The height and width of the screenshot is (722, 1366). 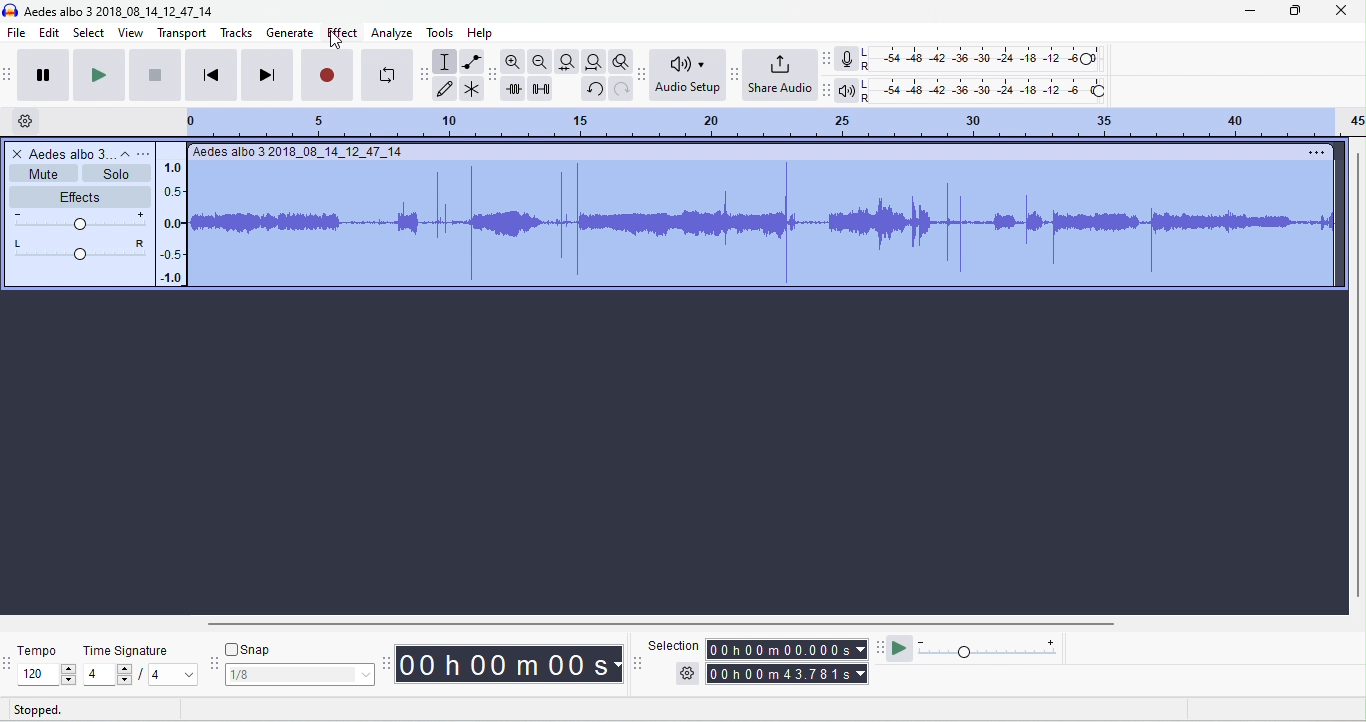 What do you see at coordinates (46, 673) in the screenshot?
I see `select tempo` at bounding box center [46, 673].